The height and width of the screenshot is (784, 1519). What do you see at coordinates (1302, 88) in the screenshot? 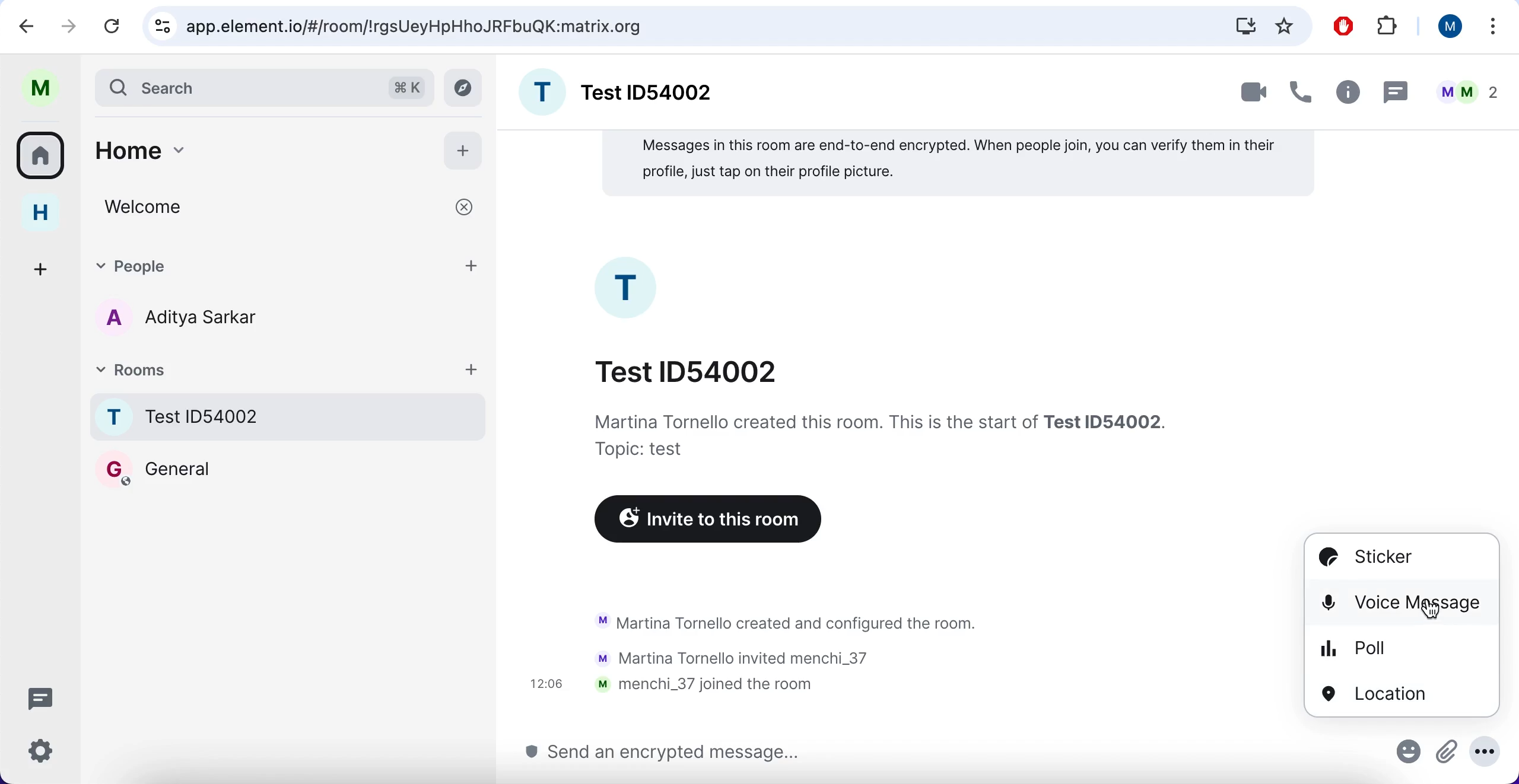
I see `call` at bounding box center [1302, 88].